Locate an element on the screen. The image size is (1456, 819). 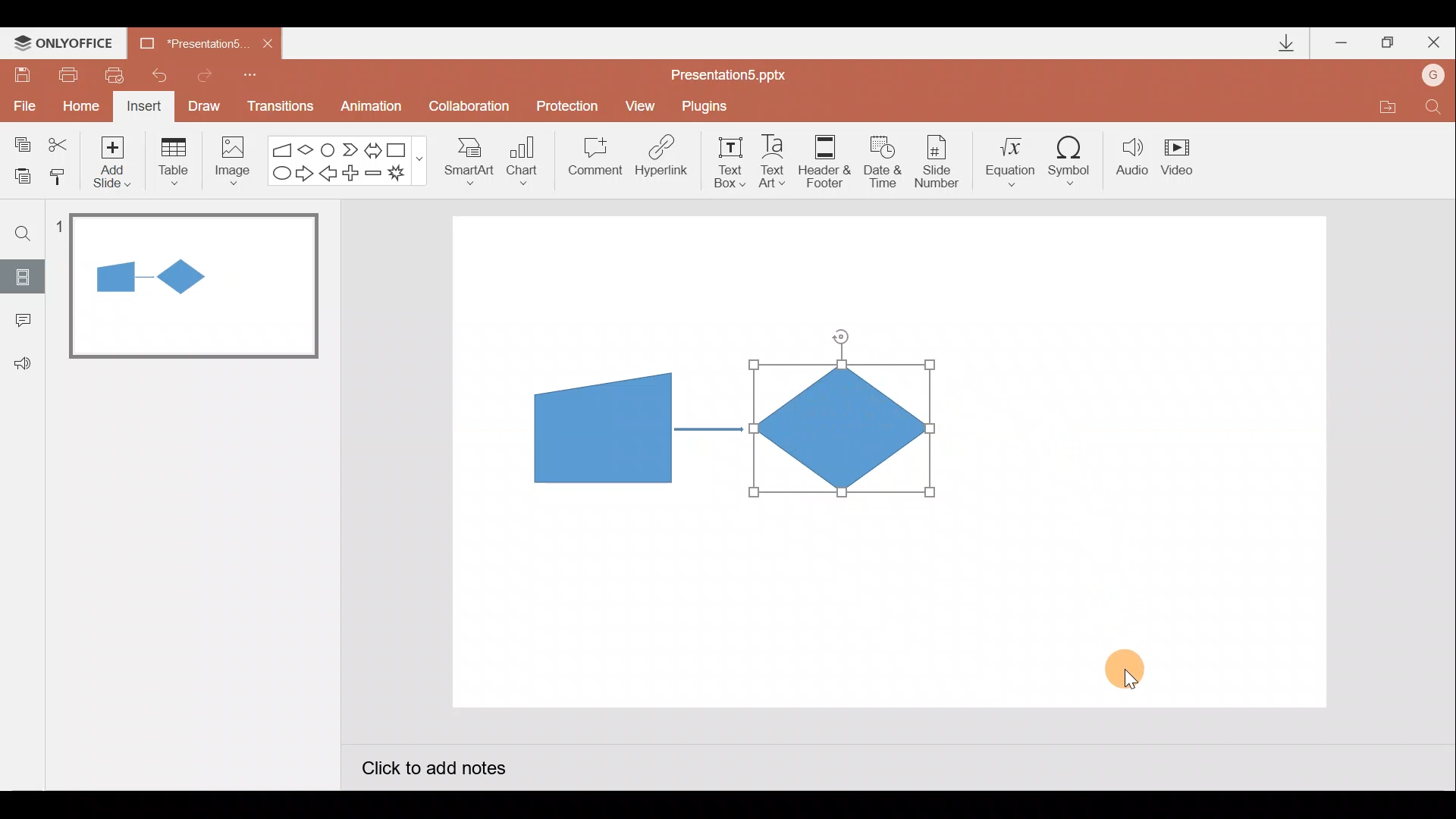
Draw is located at coordinates (205, 105).